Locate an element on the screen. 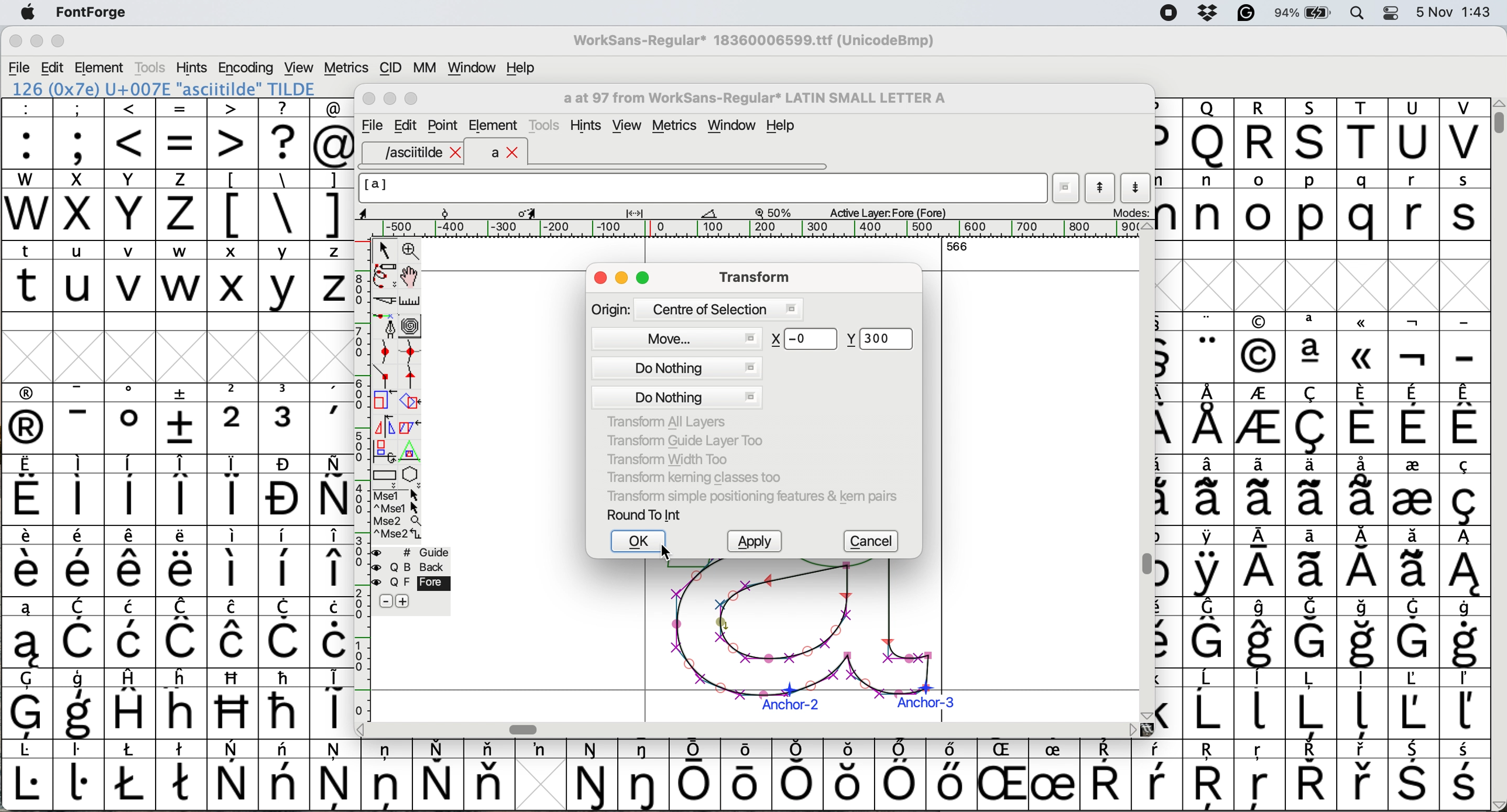 This screenshot has width=1507, height=812. > is located at coordinates (233, 133).